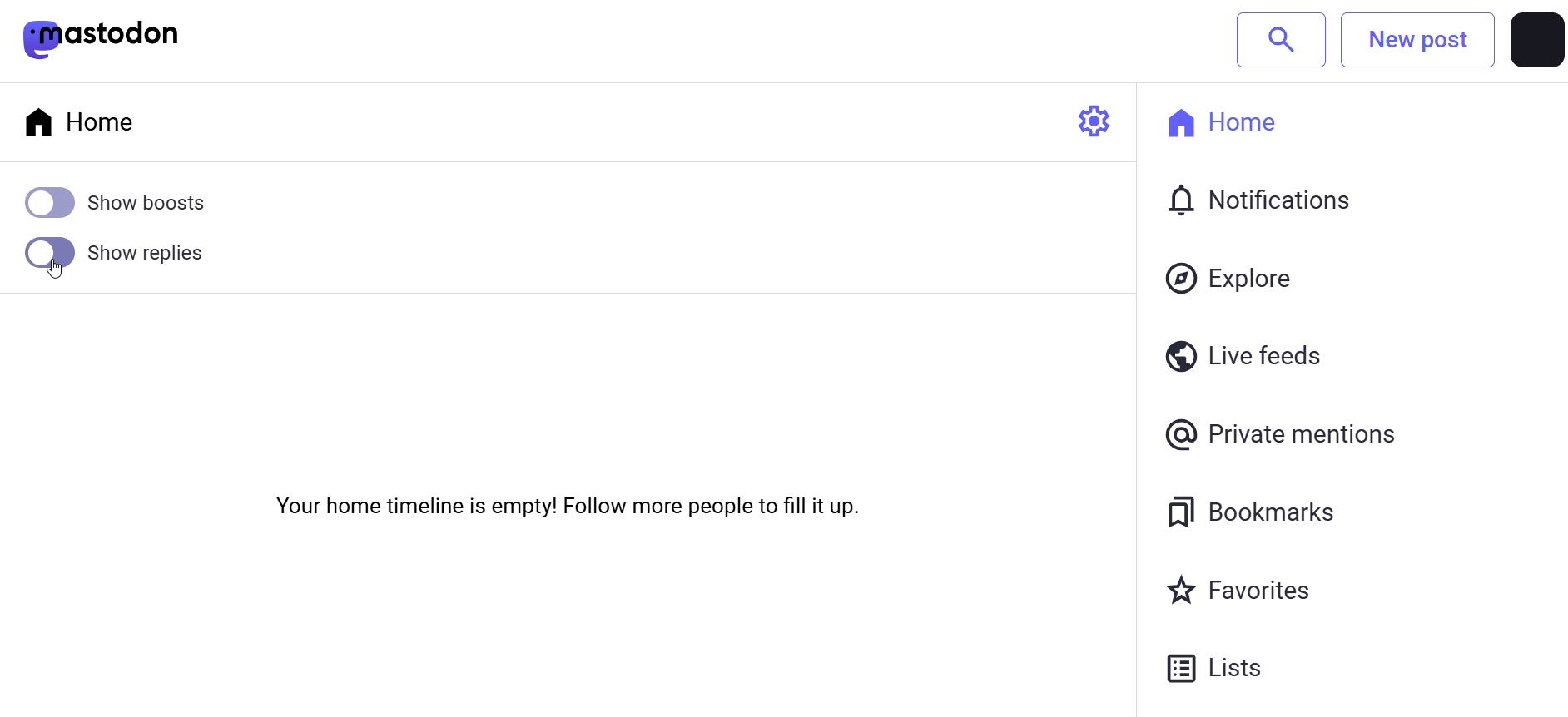 This screenshot has width=1568, height=717. I want to click on profile, so click(1539, 43).